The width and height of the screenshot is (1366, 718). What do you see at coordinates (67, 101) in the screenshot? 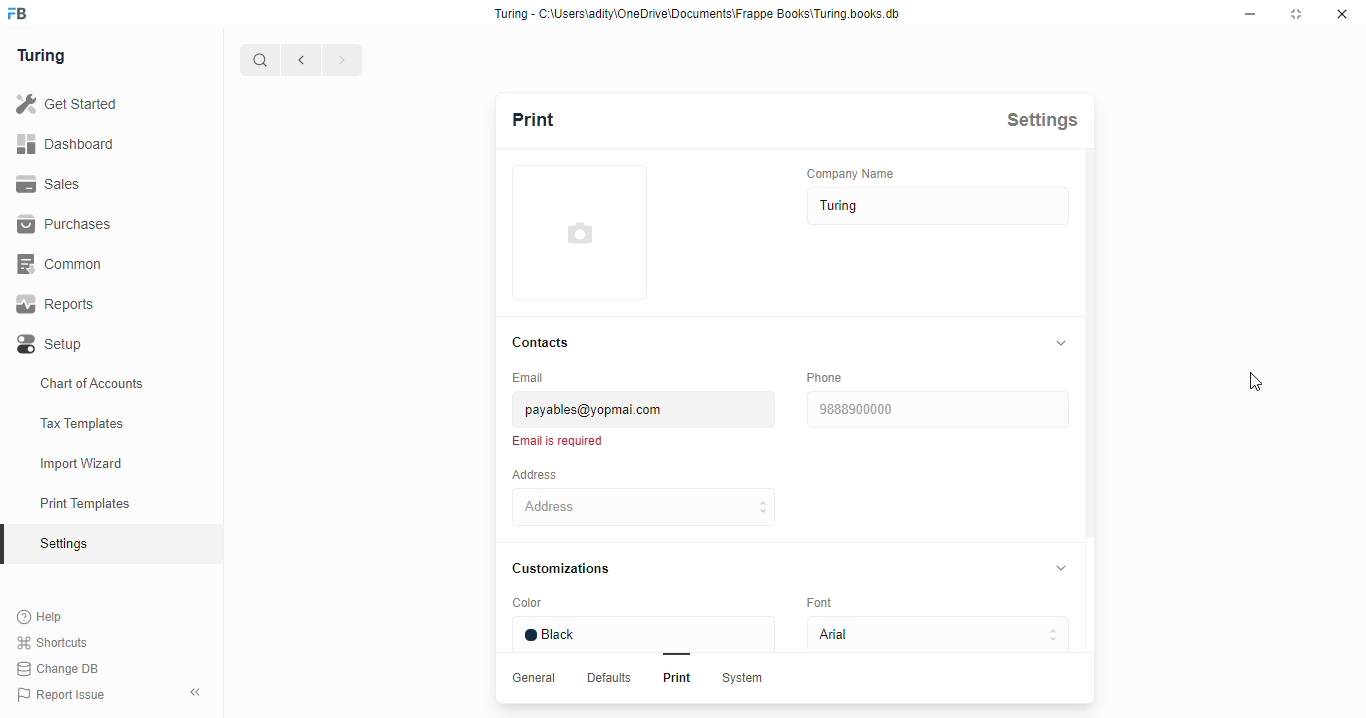
I see `Get Started` at bounding box center [67, 101].